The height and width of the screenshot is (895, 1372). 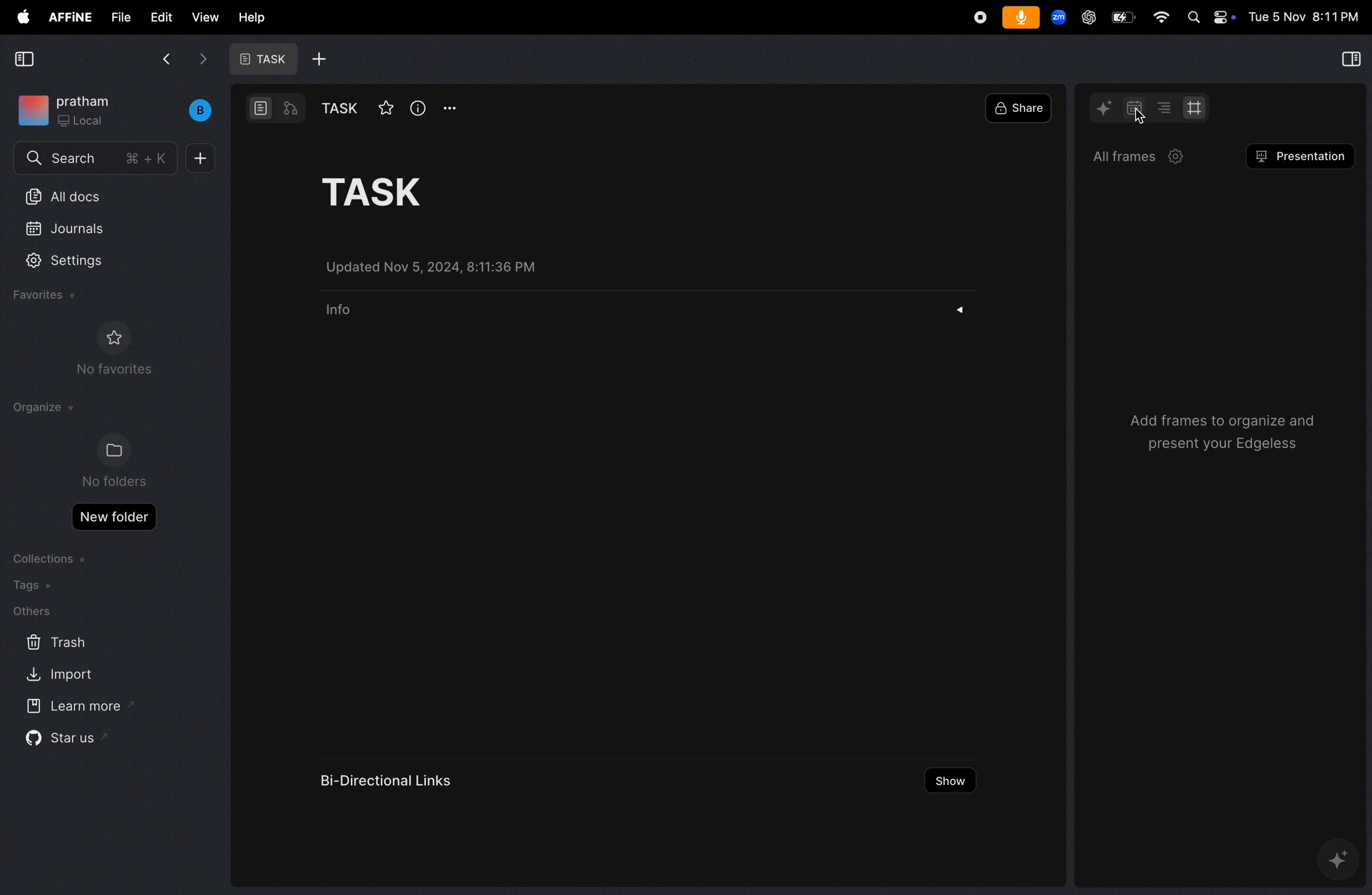 What do you see at coordinates (114, 517) in the screenshot?
I see `new folder` at bounding box center [114, 517].